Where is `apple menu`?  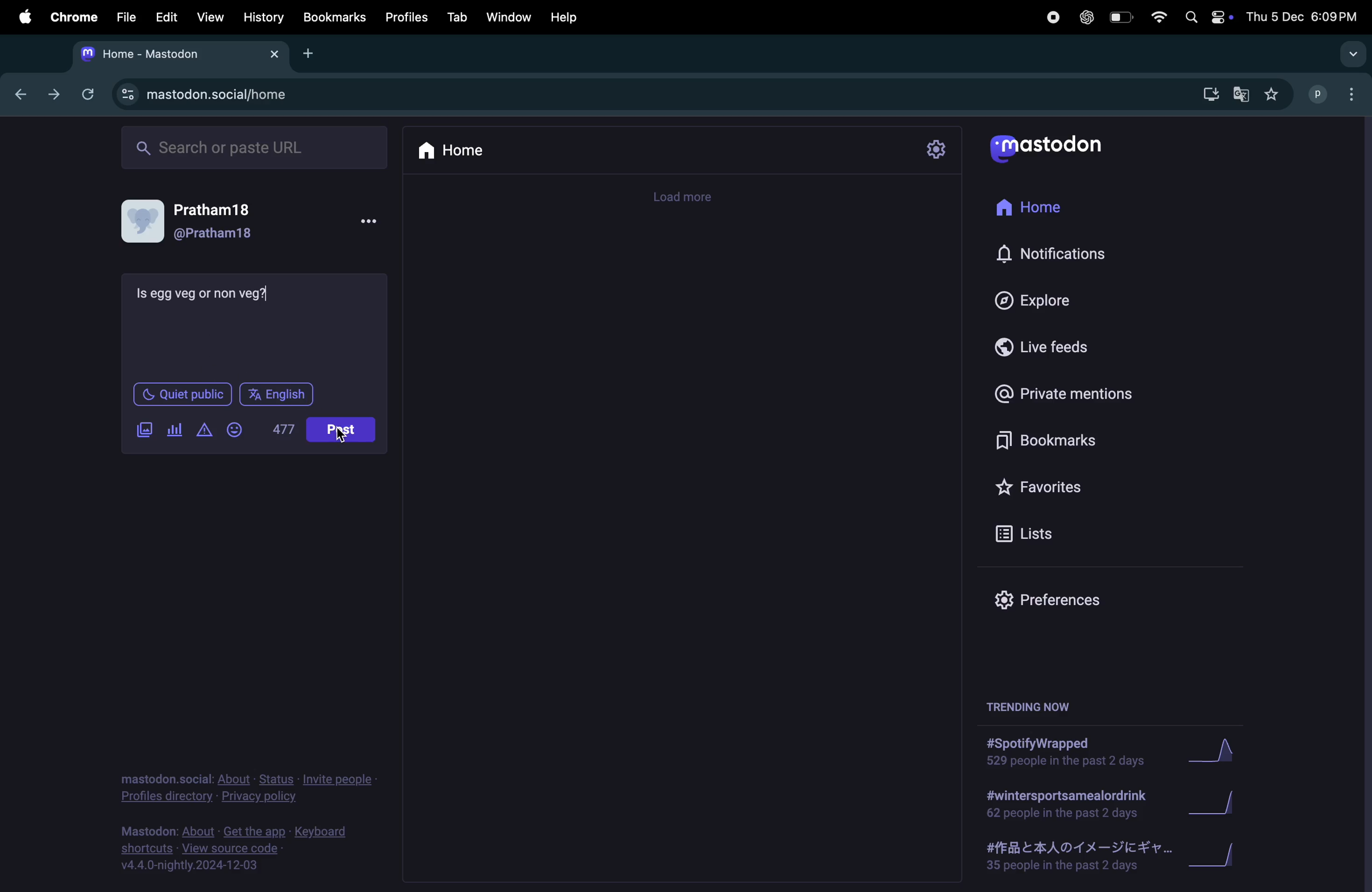
apple menu is located at coordinates (24, 17).